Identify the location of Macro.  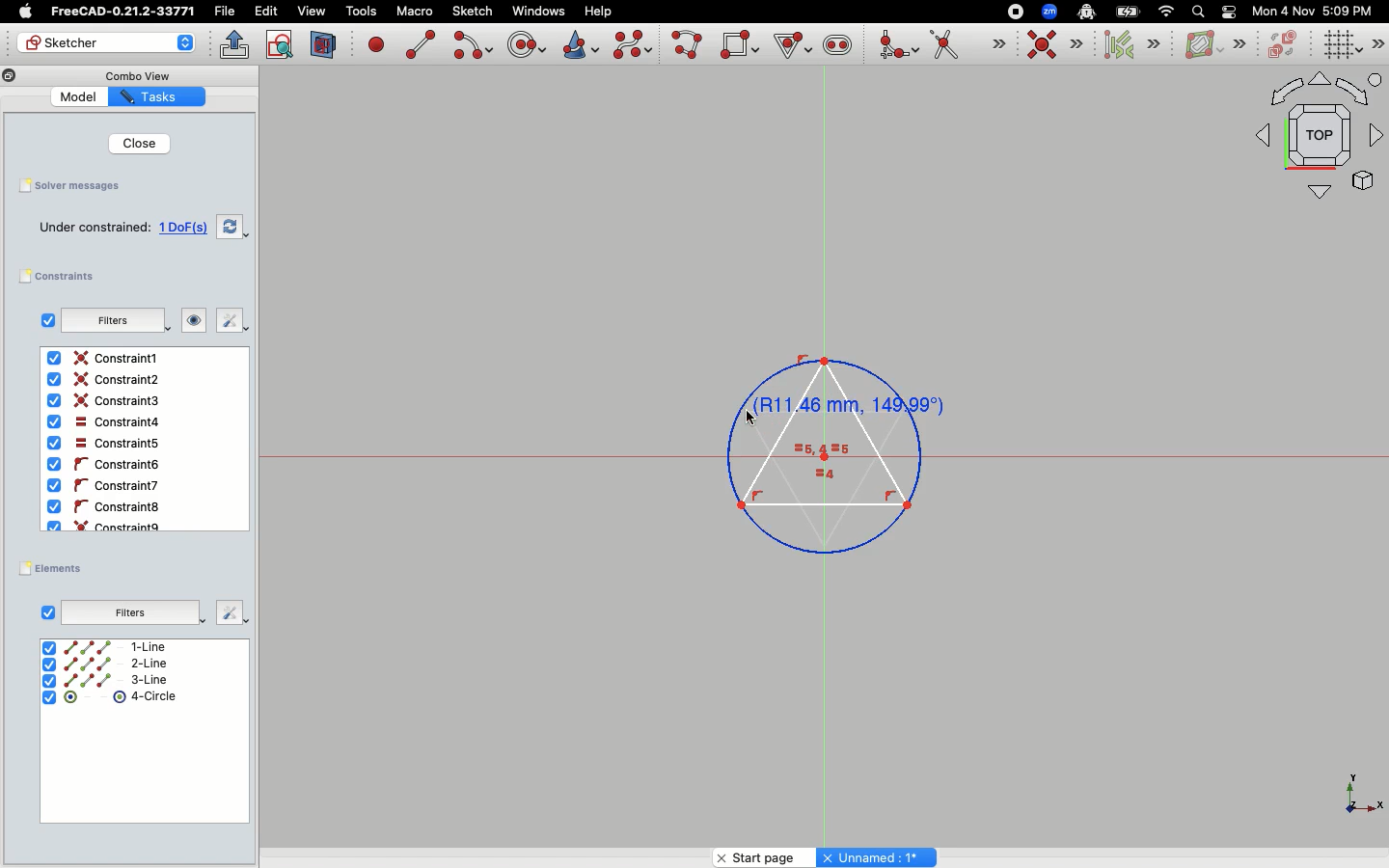
(413, 12).